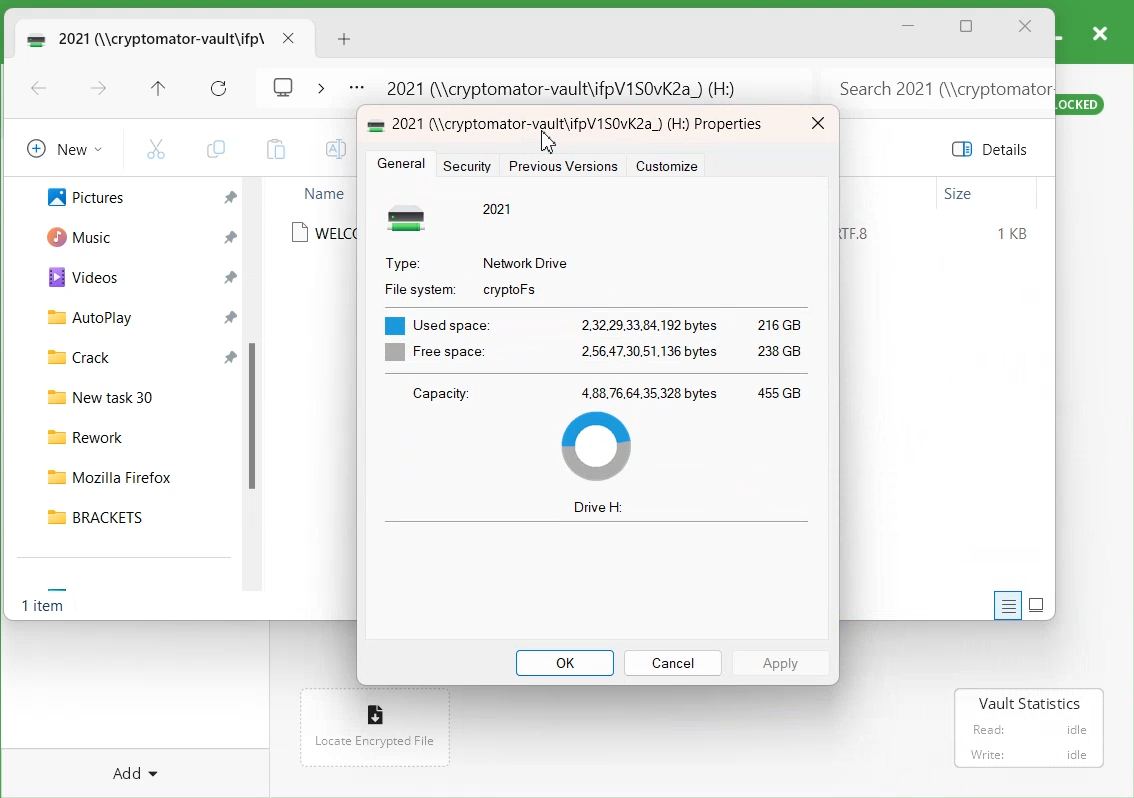 The image size is (1134, 798). Describe the element at coordinates (231, 316) in the screenshot. I see `Pin a file` at that location.